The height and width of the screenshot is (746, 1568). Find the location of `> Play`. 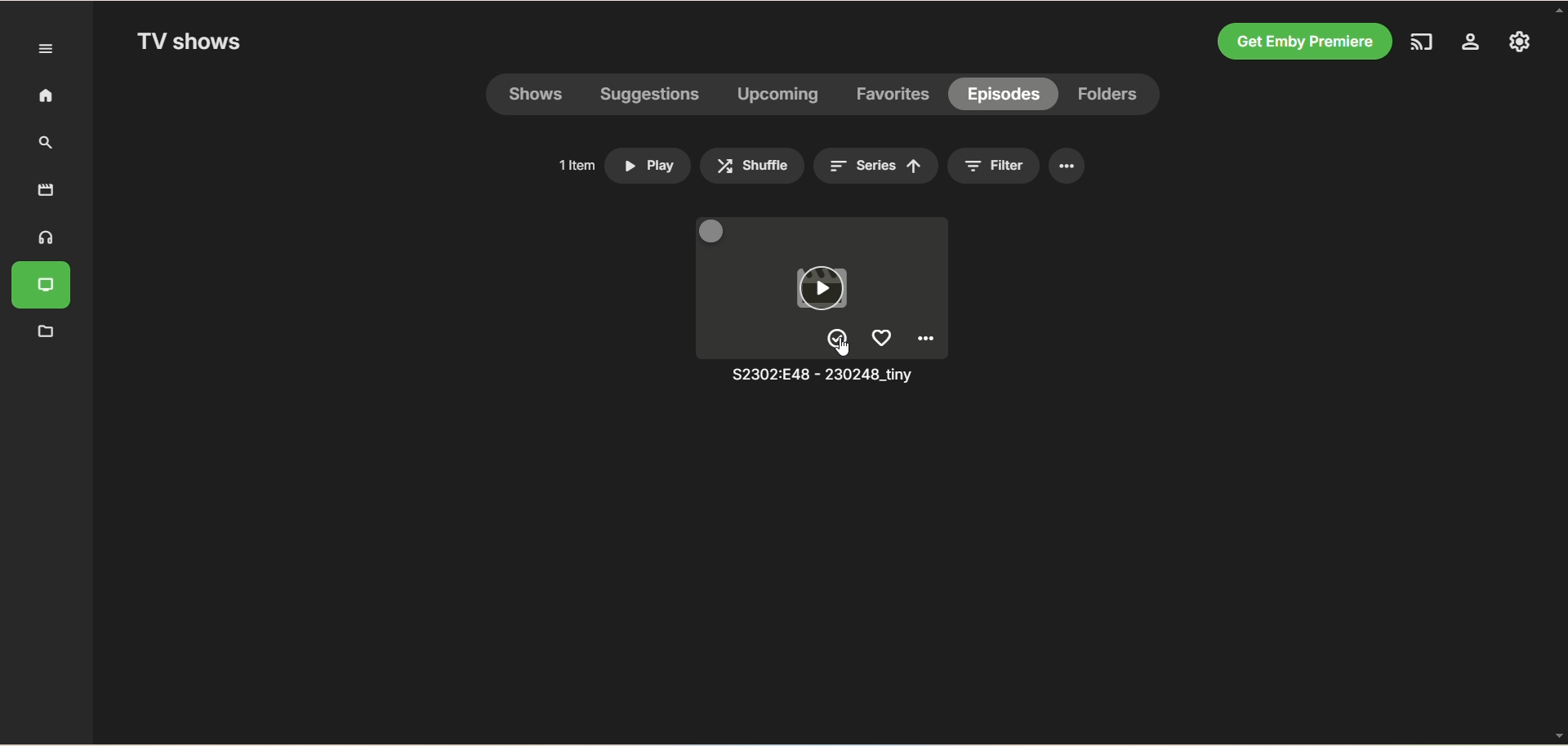

> Play is located at coordinates (649, 162).